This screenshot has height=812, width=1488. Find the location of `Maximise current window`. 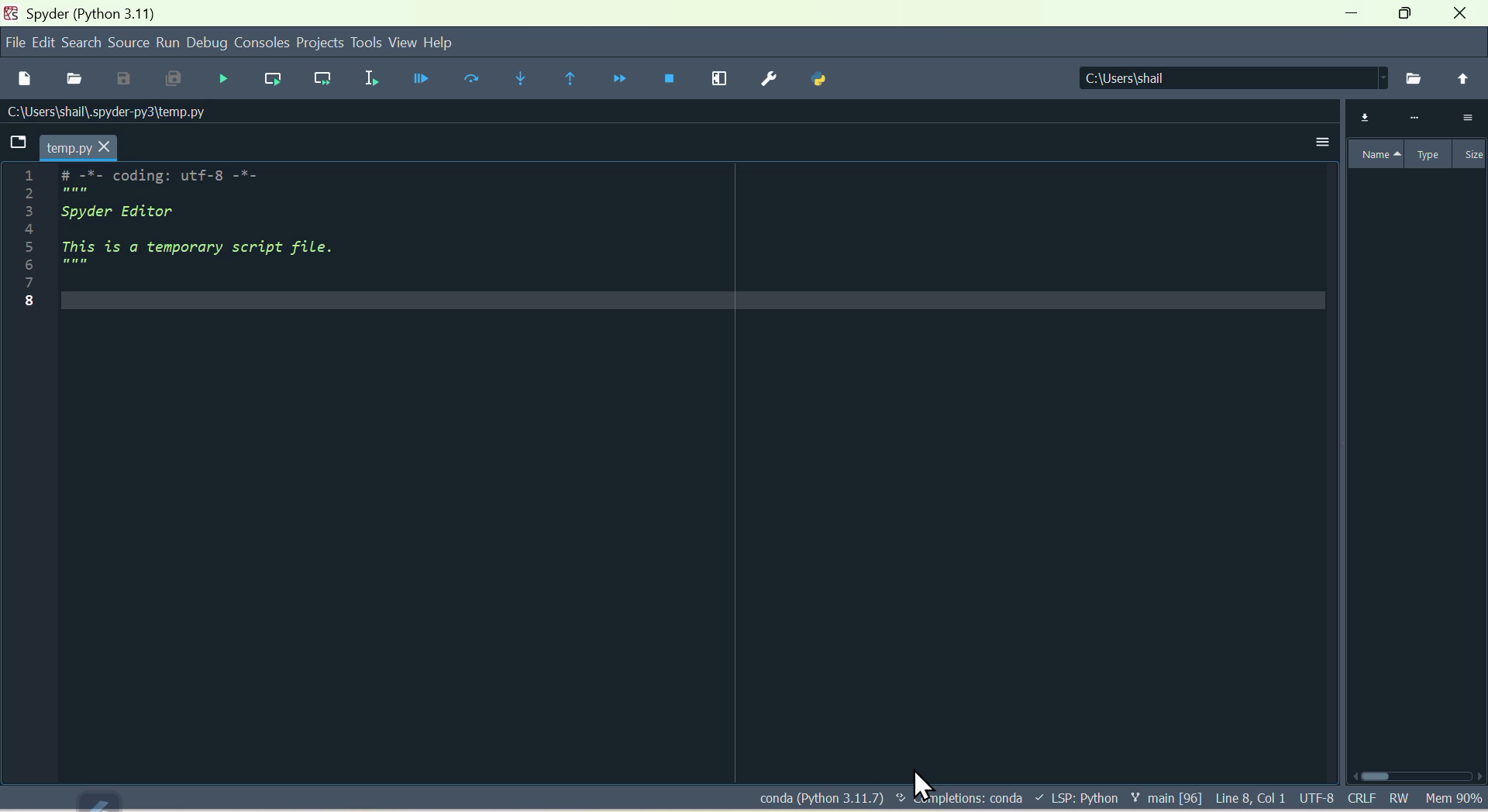

Maximise current window is located at coordinates (721, 78).